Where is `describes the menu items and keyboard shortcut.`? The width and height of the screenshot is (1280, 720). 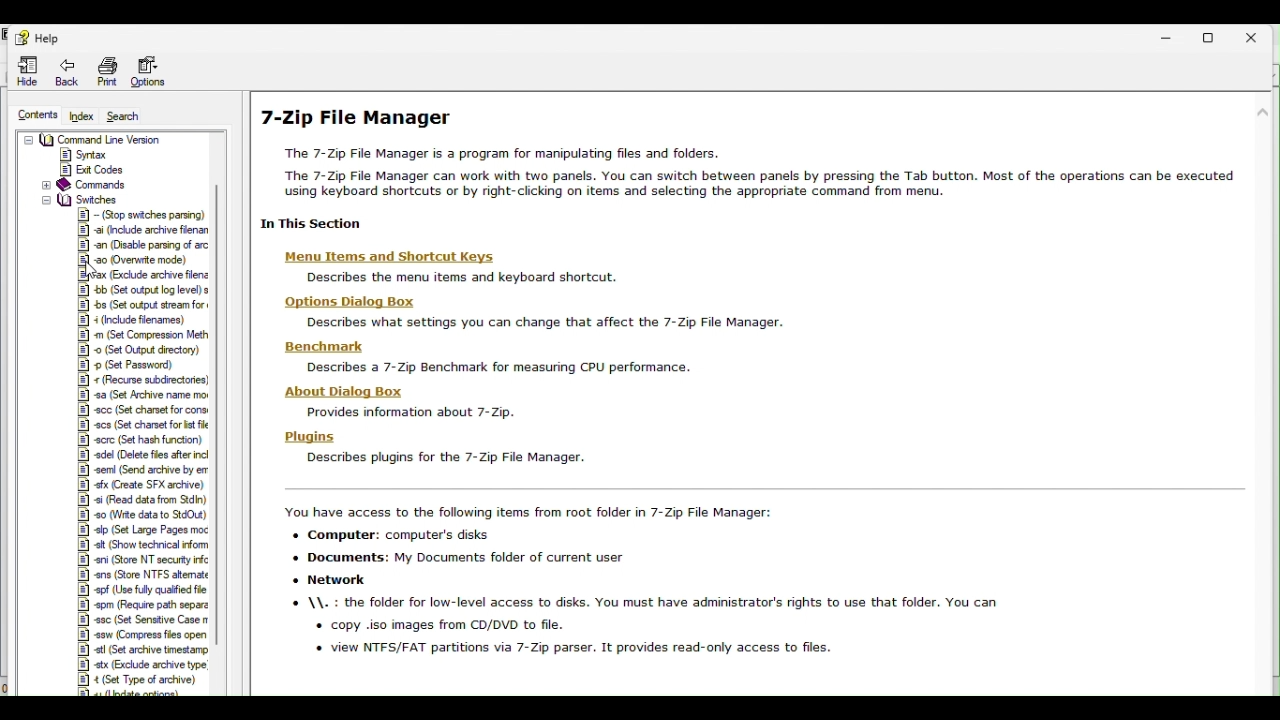
describes the menu items and keyboard shortcut. is located at coordinates (463, 277).